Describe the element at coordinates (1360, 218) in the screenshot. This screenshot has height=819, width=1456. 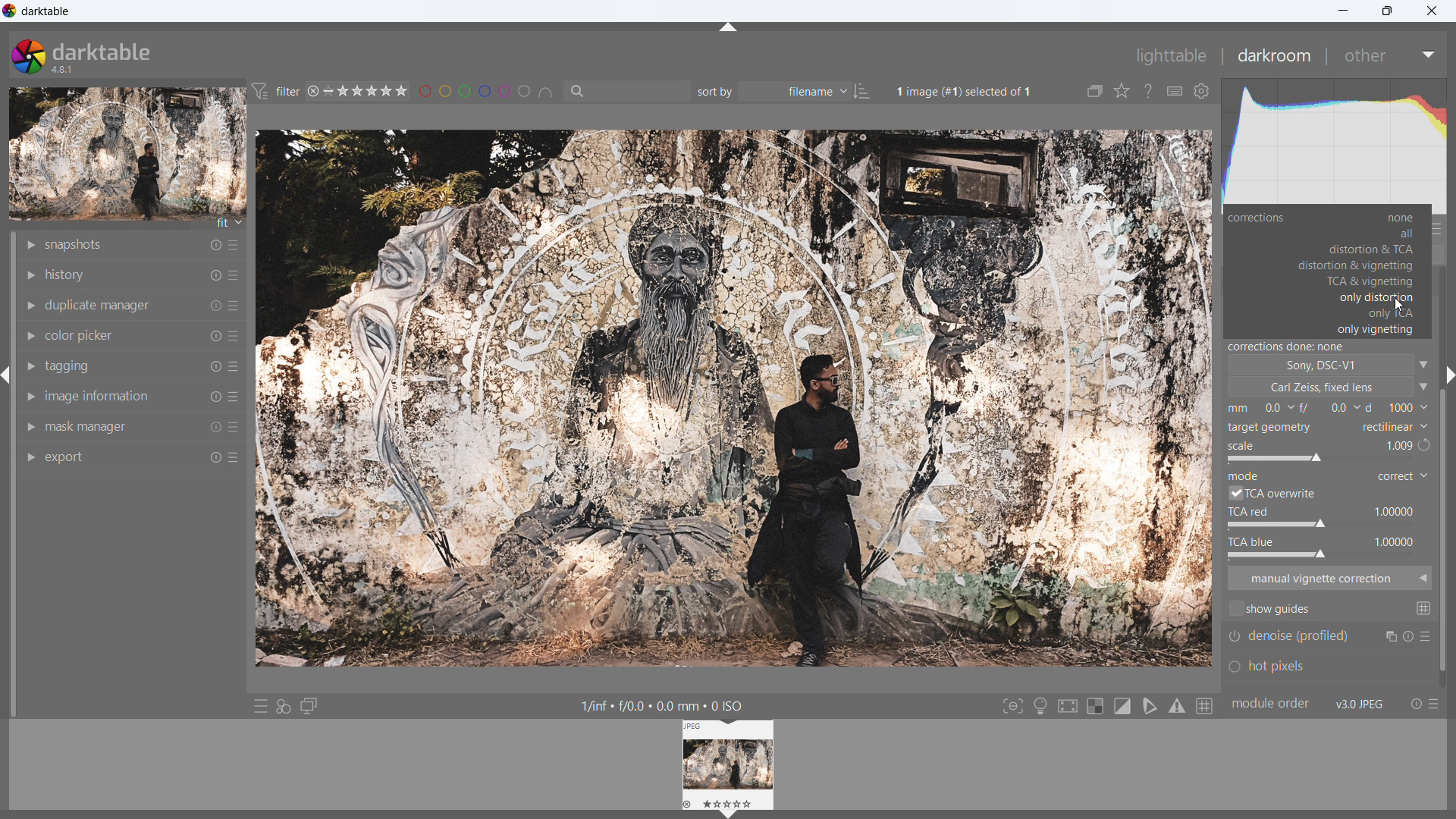
I see `none` at that location.